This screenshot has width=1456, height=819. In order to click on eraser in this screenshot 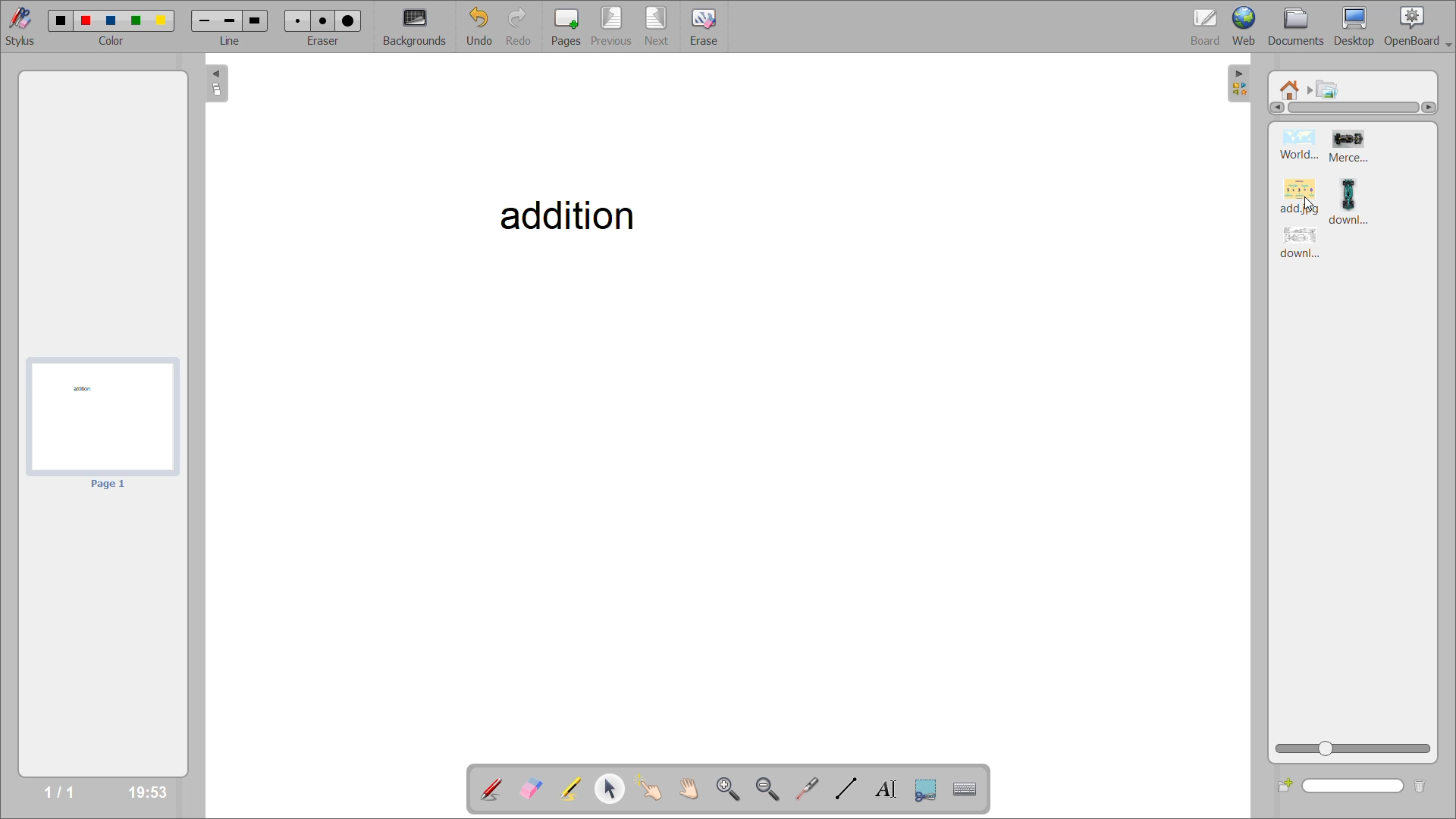, I will do `click(322, 38)`.